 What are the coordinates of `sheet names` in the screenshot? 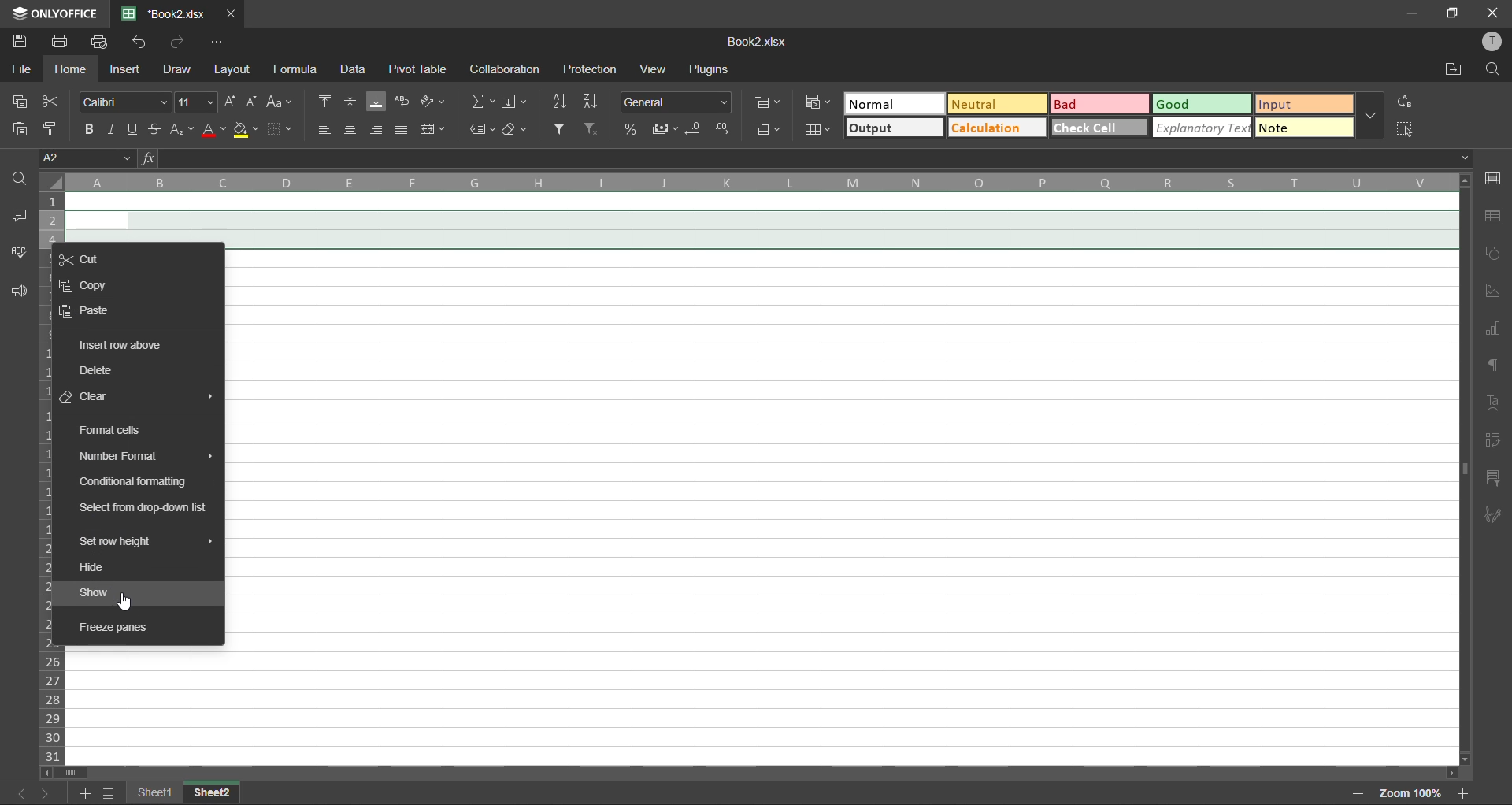 It's located at (158, 792).